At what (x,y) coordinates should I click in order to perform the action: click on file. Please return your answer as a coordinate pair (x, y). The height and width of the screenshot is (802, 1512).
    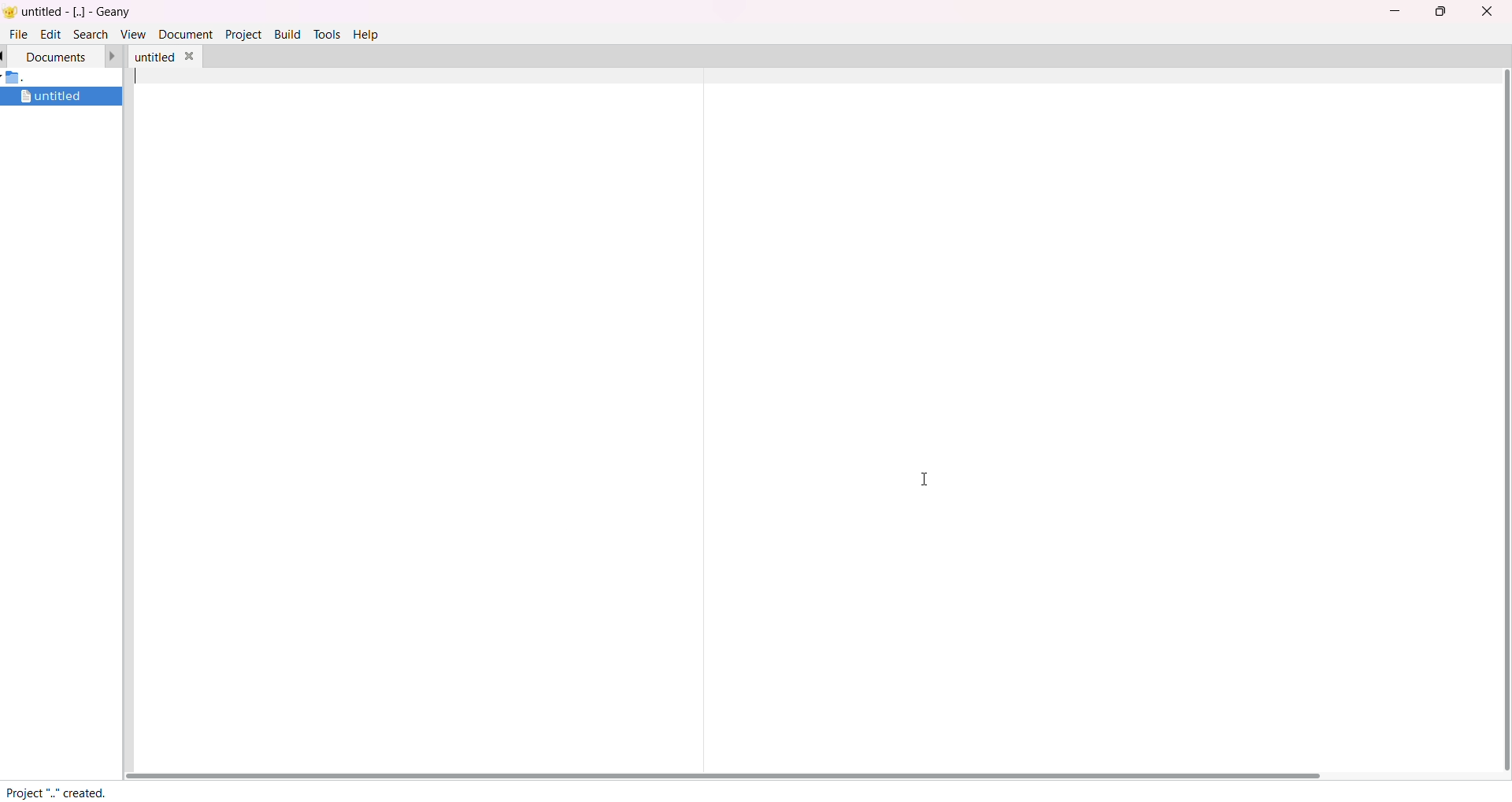
    Looking at the image, I should click on (17, 33).